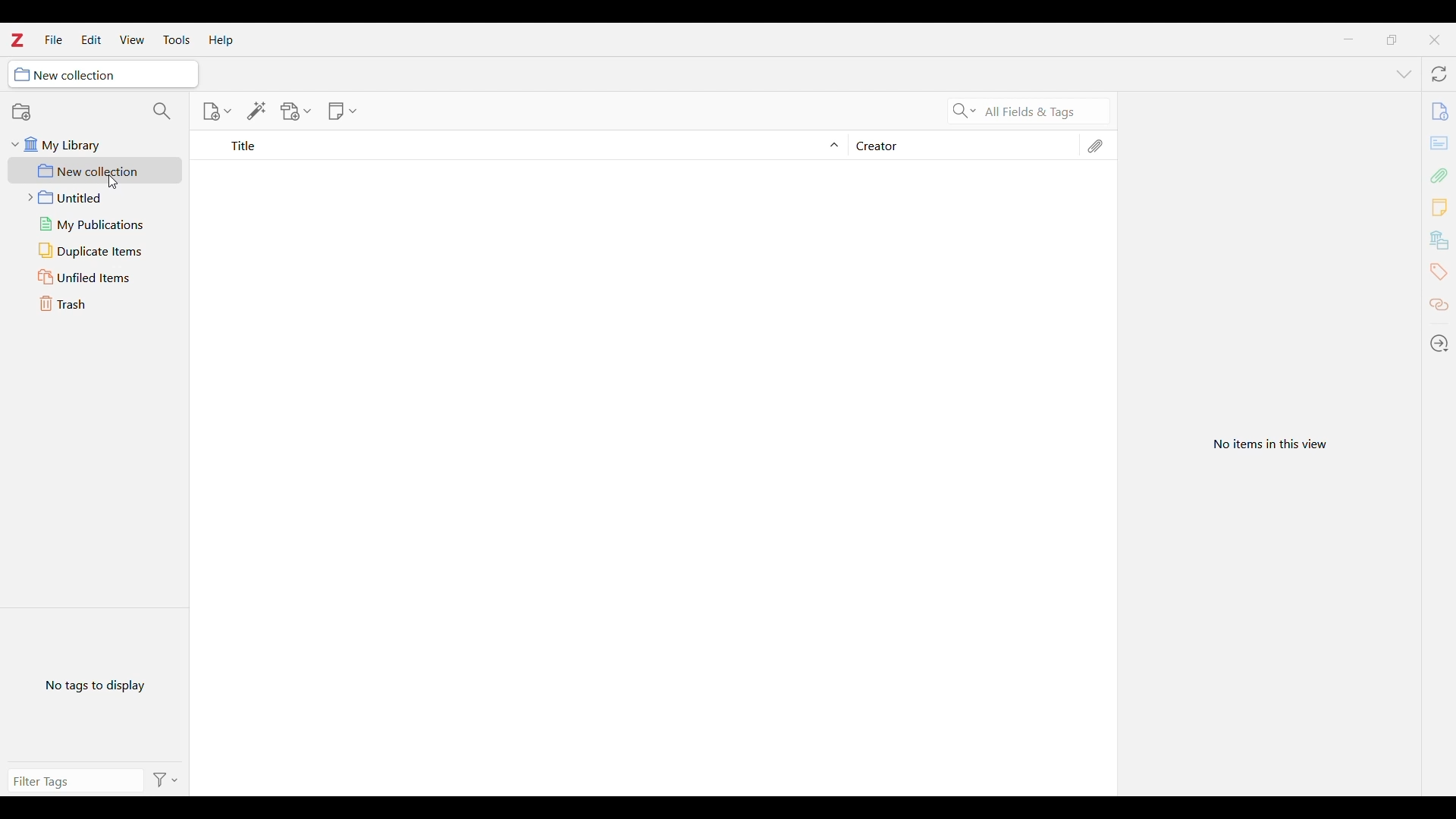  I want to click on Add file options, so click(296, 111).